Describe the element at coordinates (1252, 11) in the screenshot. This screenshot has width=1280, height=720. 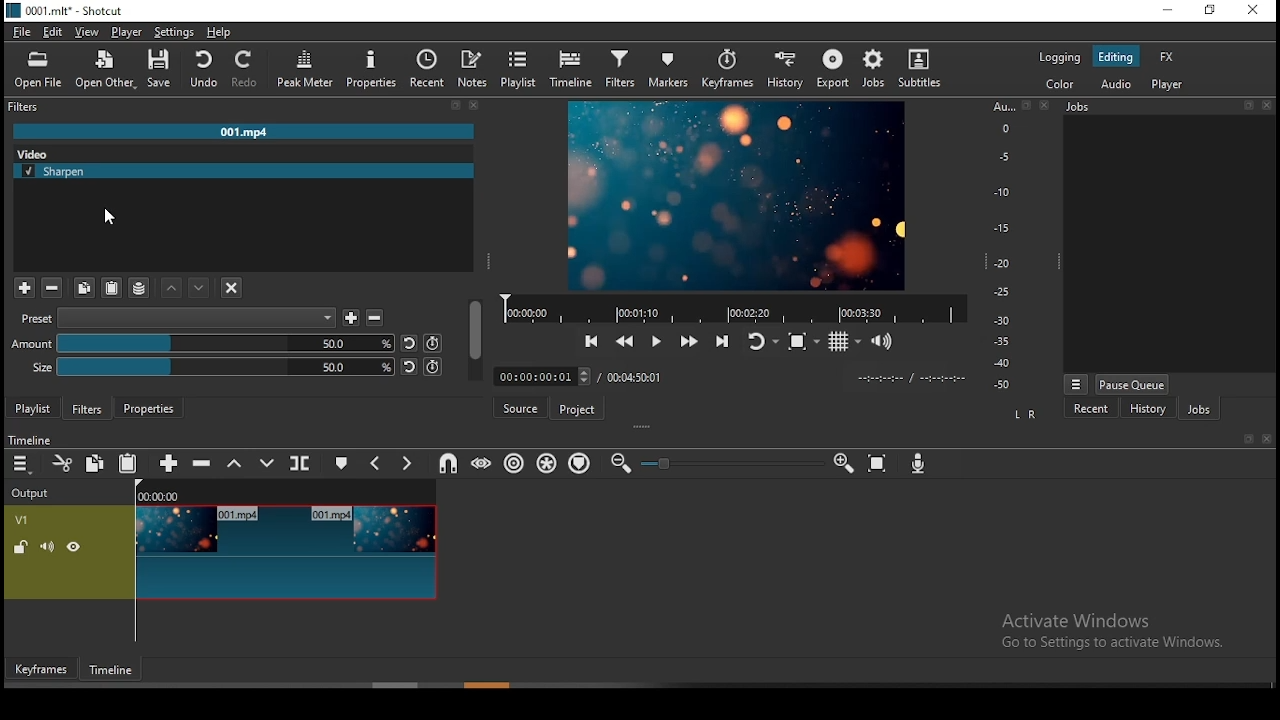
I see `close window` at that location.